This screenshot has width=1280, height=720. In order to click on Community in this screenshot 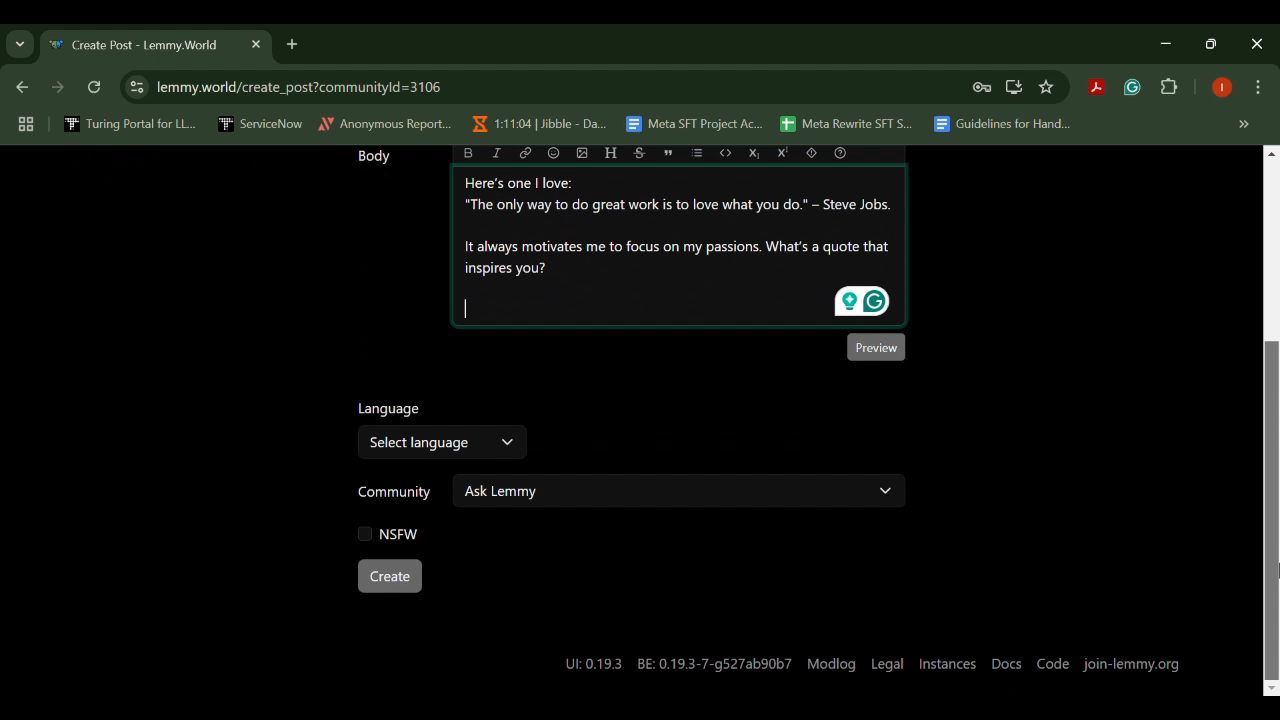, I will do `click(394, 494)`.